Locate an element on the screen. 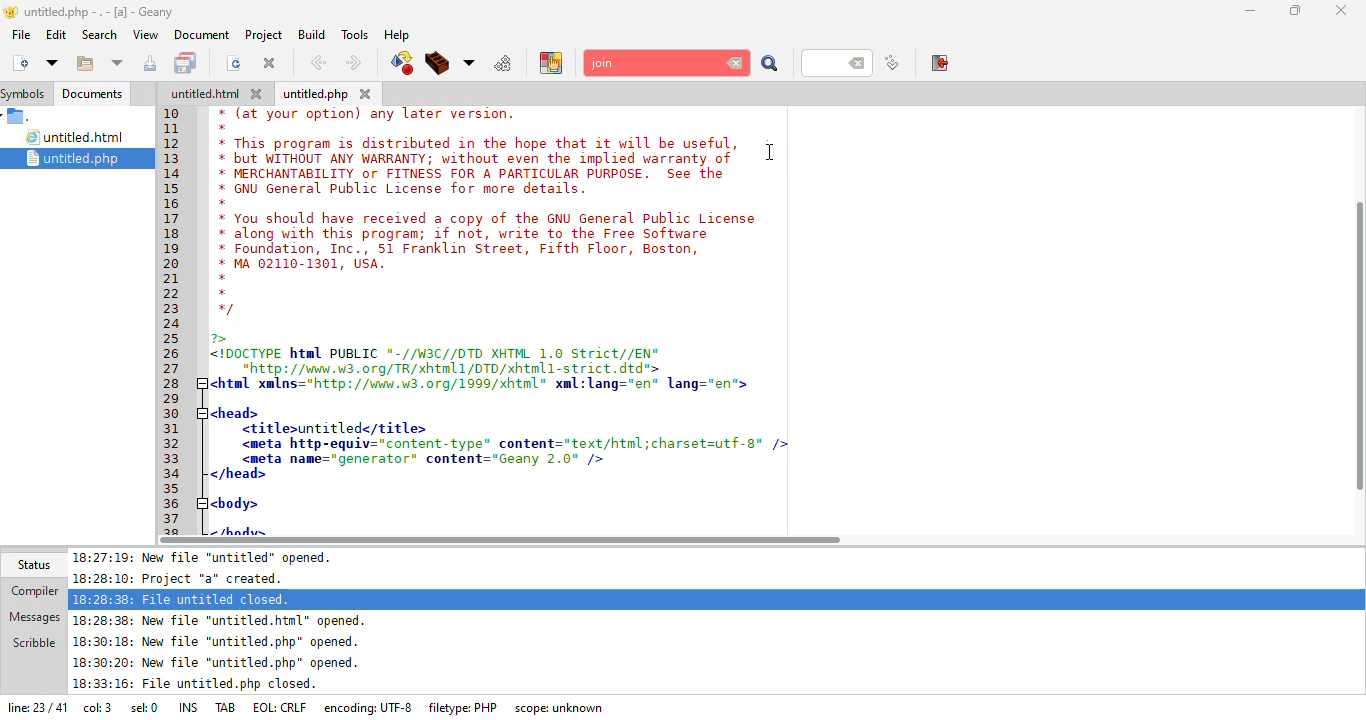 Image resolution: width=1366 pixels, height=720 pixels. 36 is located at coordinates (174, 504).